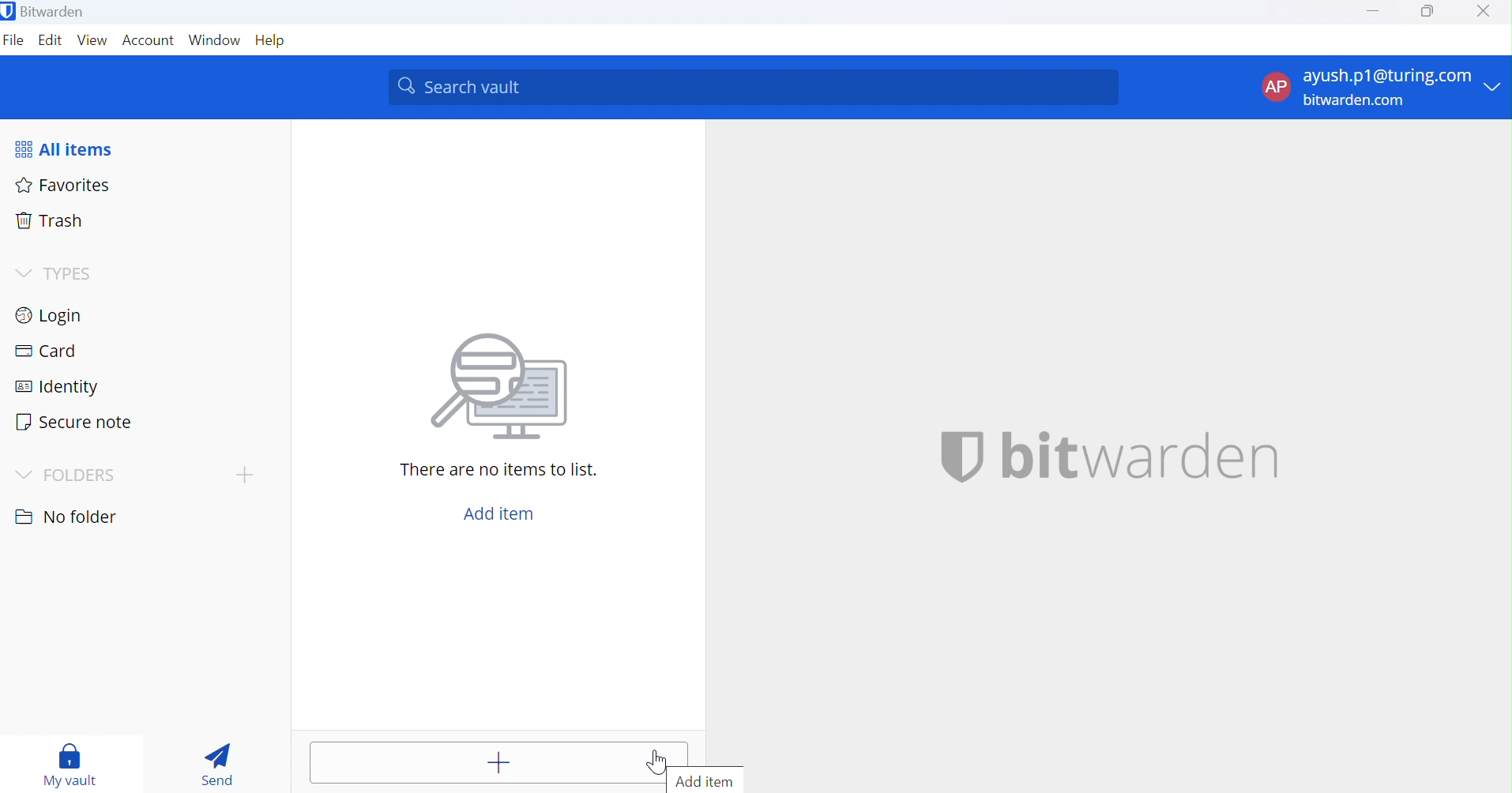  What do you see at coordinates (273, 41) in the screenshot?
I see `Help` at bounding box center [273, 41].